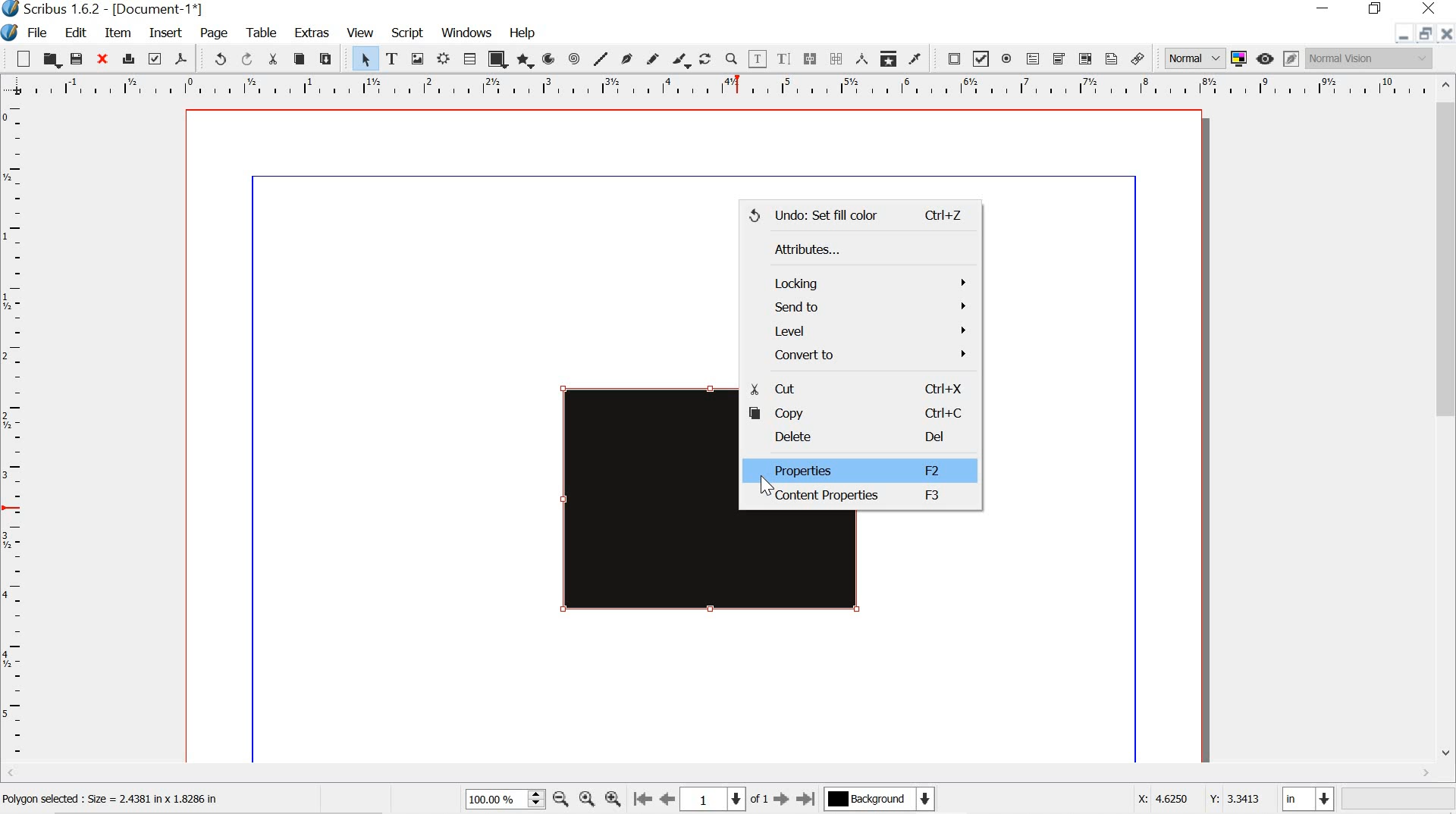 This screenshot has height=814, width=1456. I want to click on text annotation, so click(1112, 59).